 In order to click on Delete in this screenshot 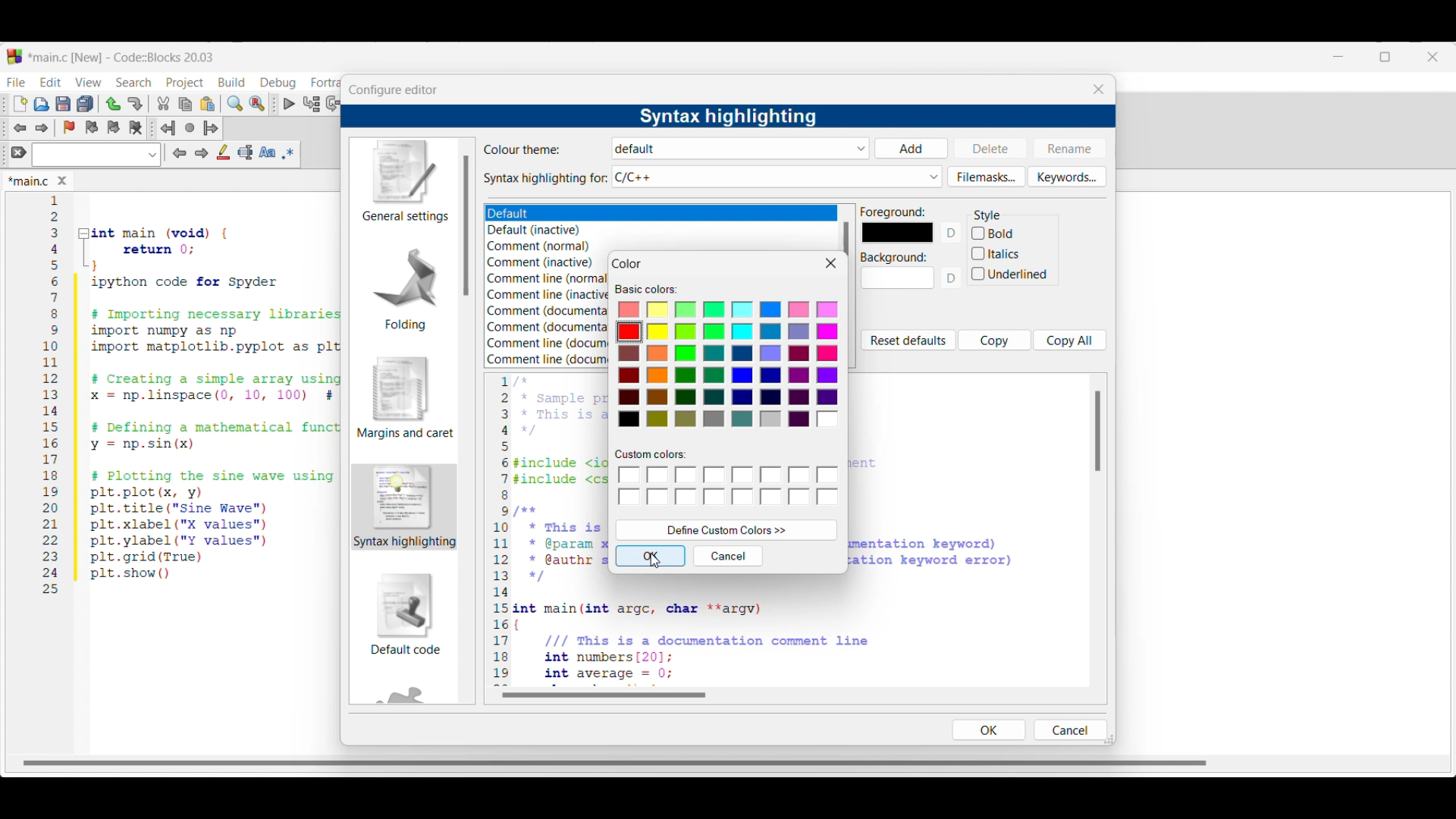, I will do `click(991, 147)`.